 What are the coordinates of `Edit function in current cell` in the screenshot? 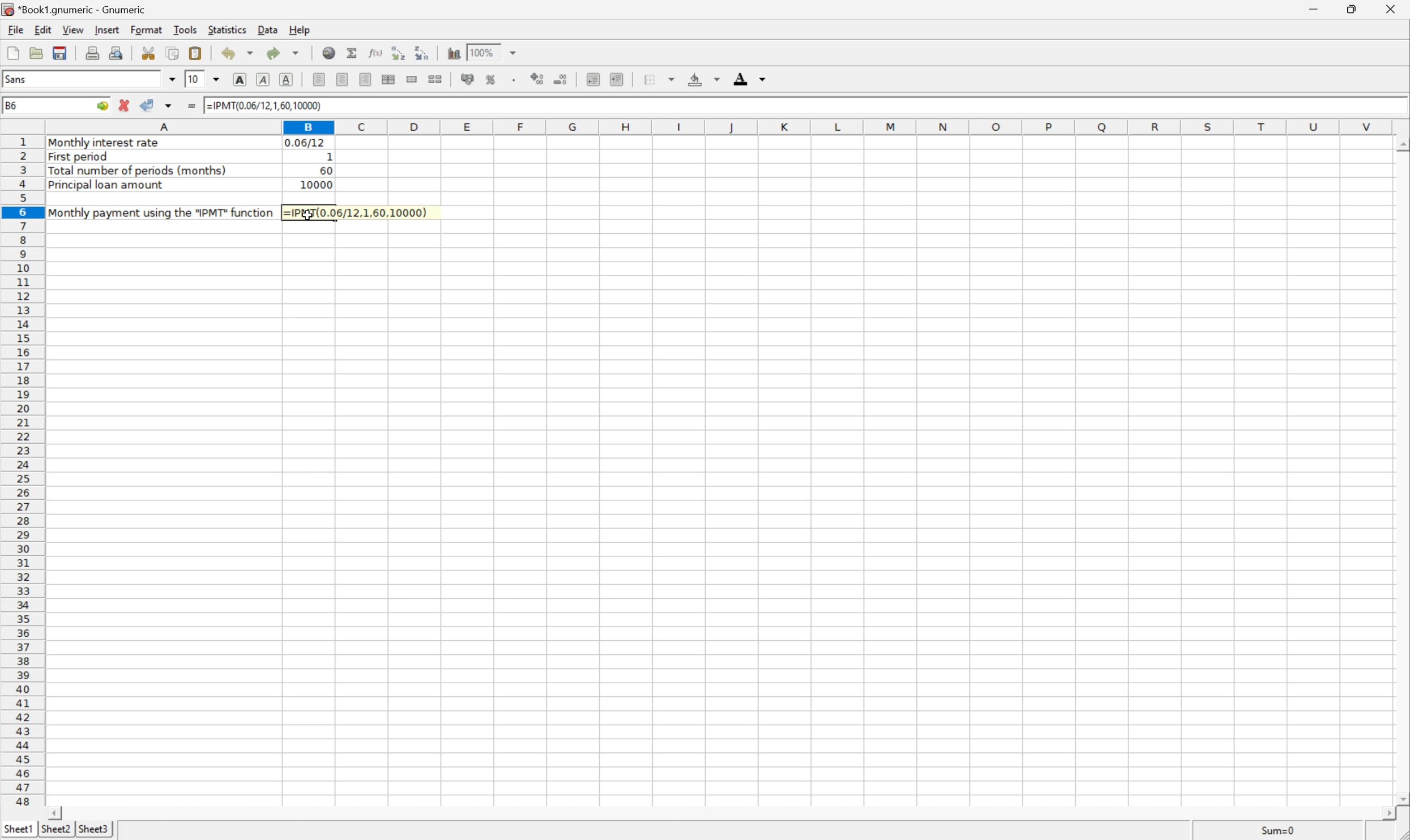 It's located at (375, 53).